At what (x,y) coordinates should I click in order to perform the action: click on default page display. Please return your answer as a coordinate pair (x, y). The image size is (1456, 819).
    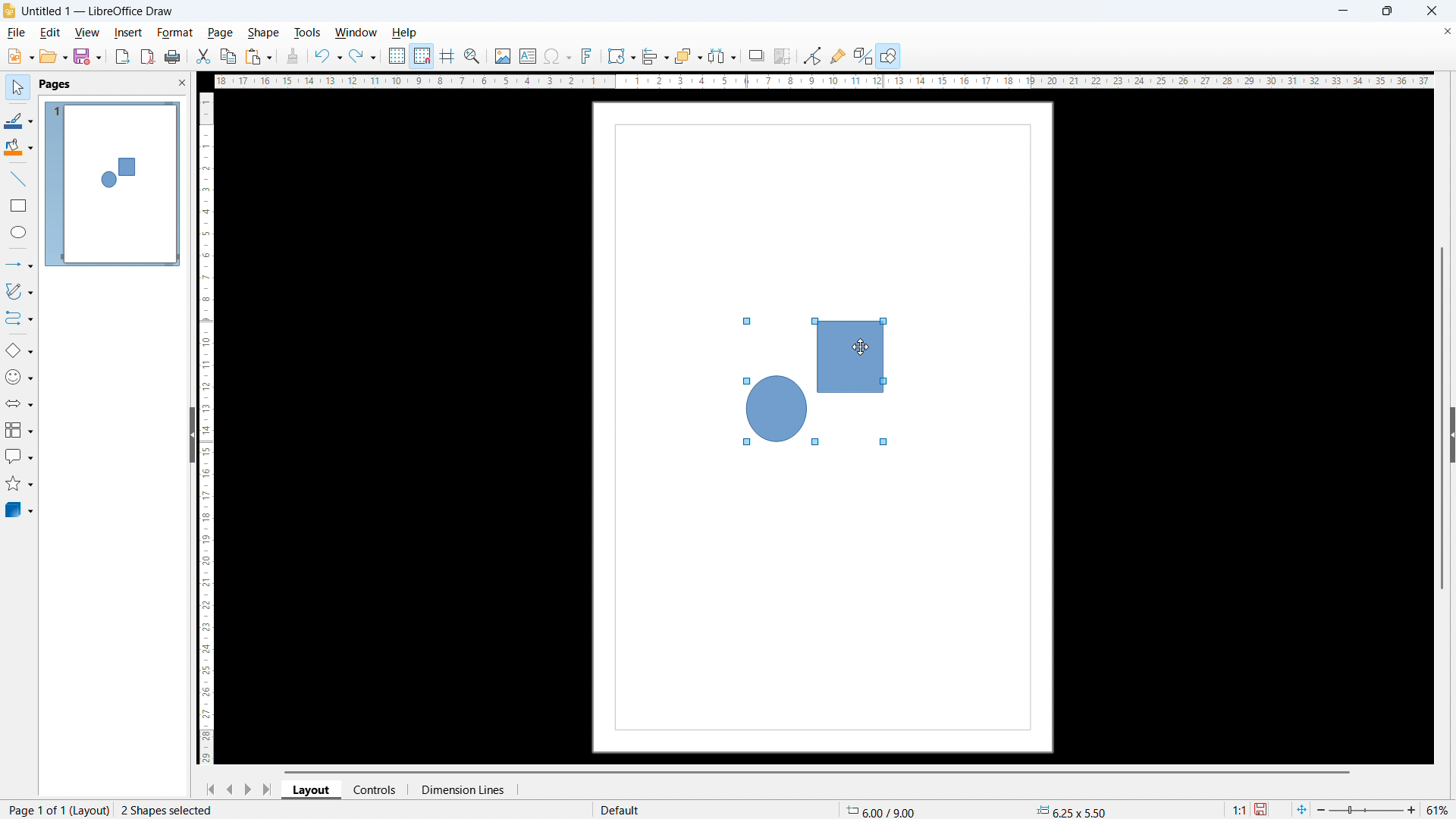
    Looking at the image, I should click on (619, 809).